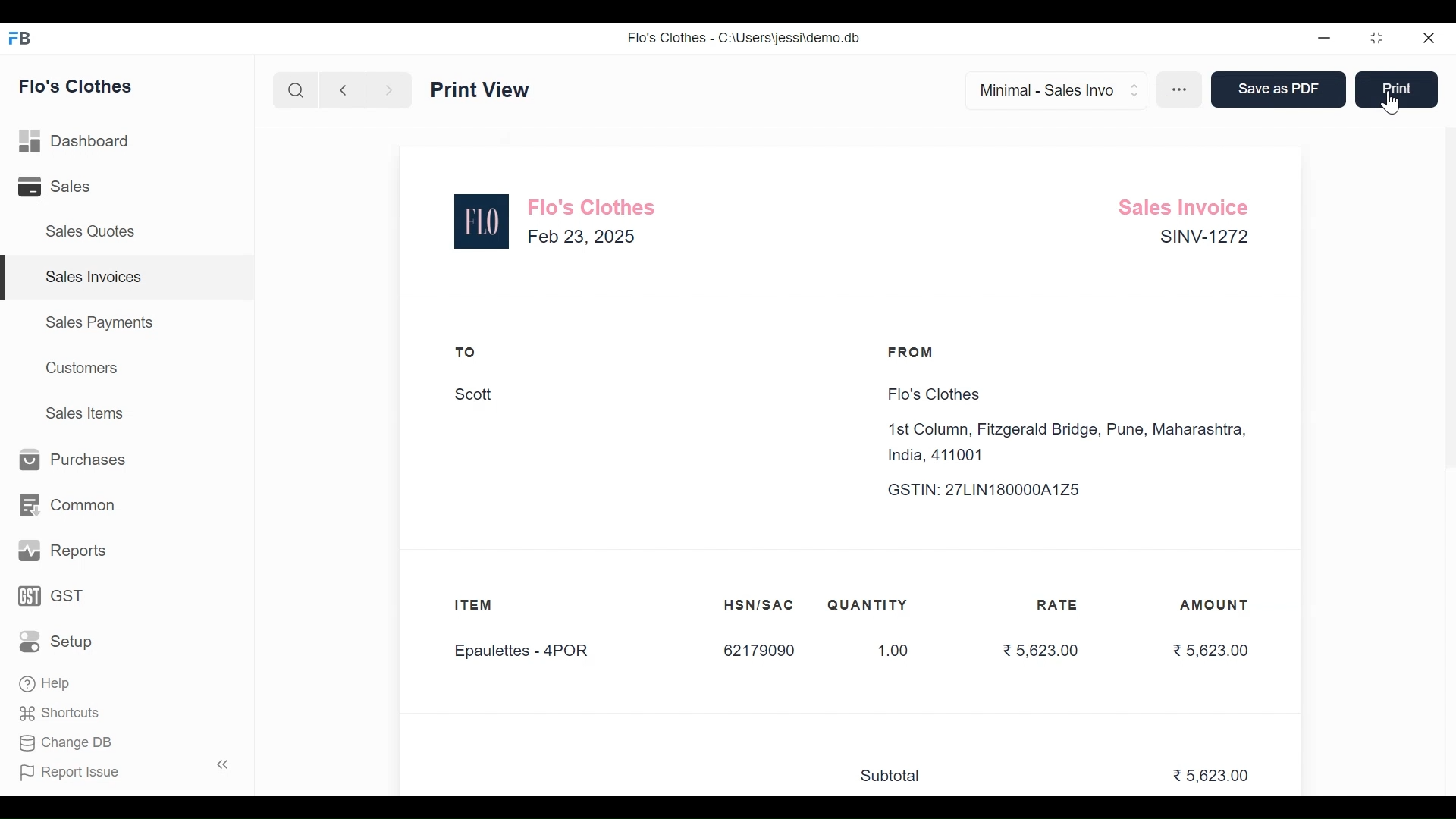 The image size is (1456, 819). What do you see at coordinates (1213, 777) in the screenshot?
I see `5,623.00` at bounding box center [1213, 777].